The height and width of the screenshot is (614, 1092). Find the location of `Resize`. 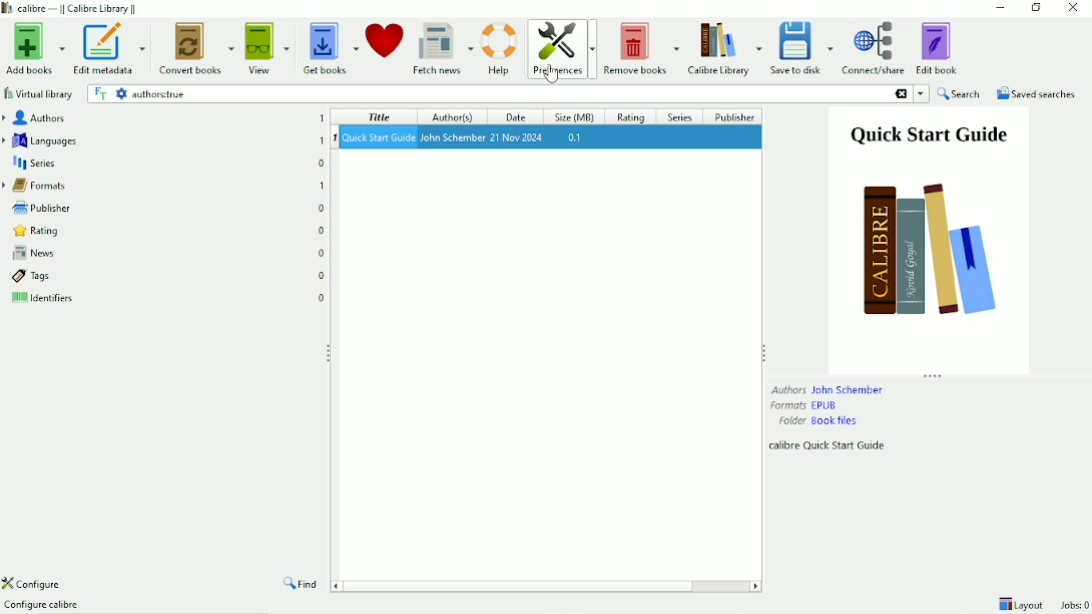

Resize is located at coordinates (328, 353).